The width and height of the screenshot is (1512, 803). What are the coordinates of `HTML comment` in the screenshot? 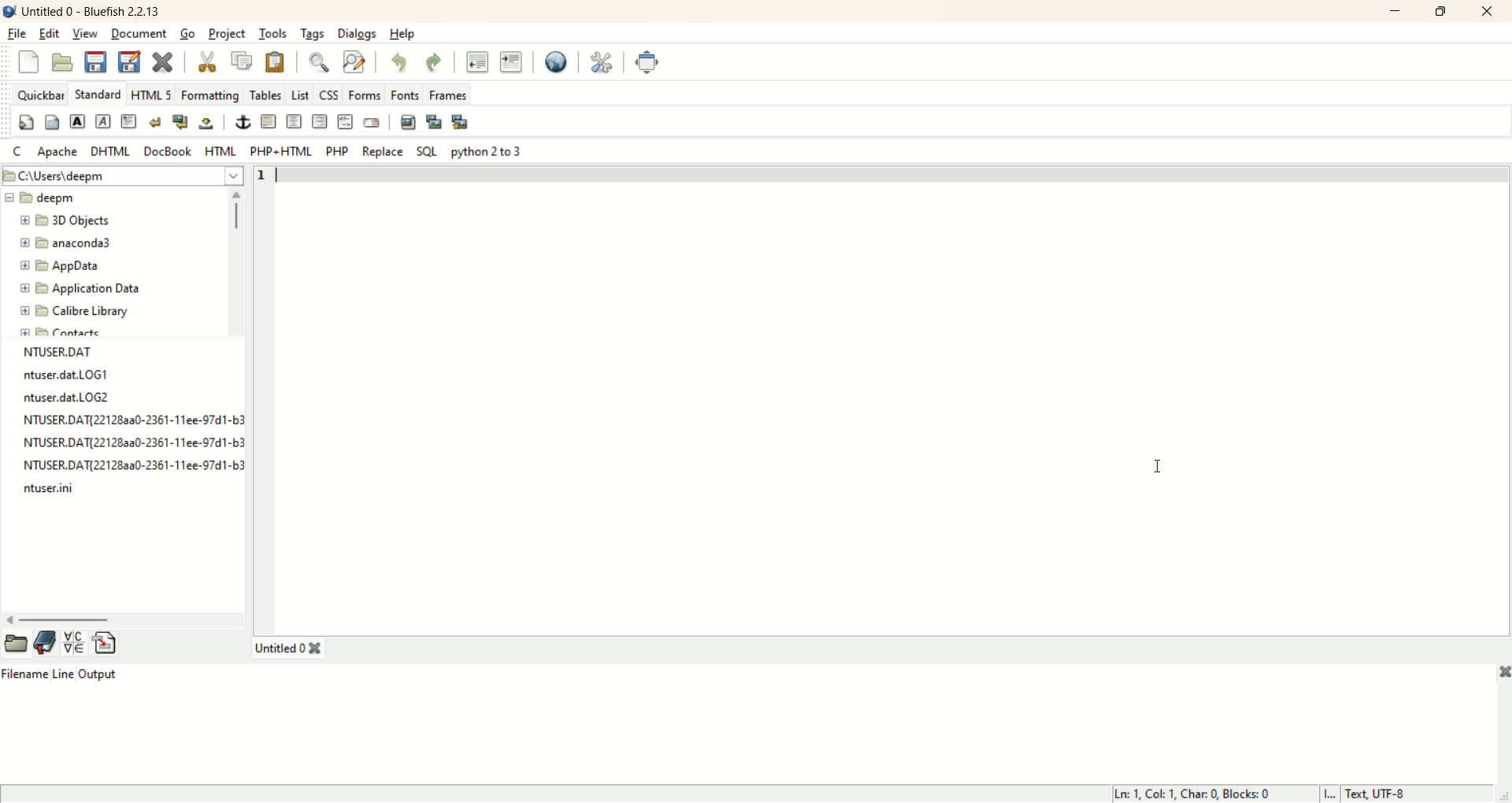 It's located at (345, 122).